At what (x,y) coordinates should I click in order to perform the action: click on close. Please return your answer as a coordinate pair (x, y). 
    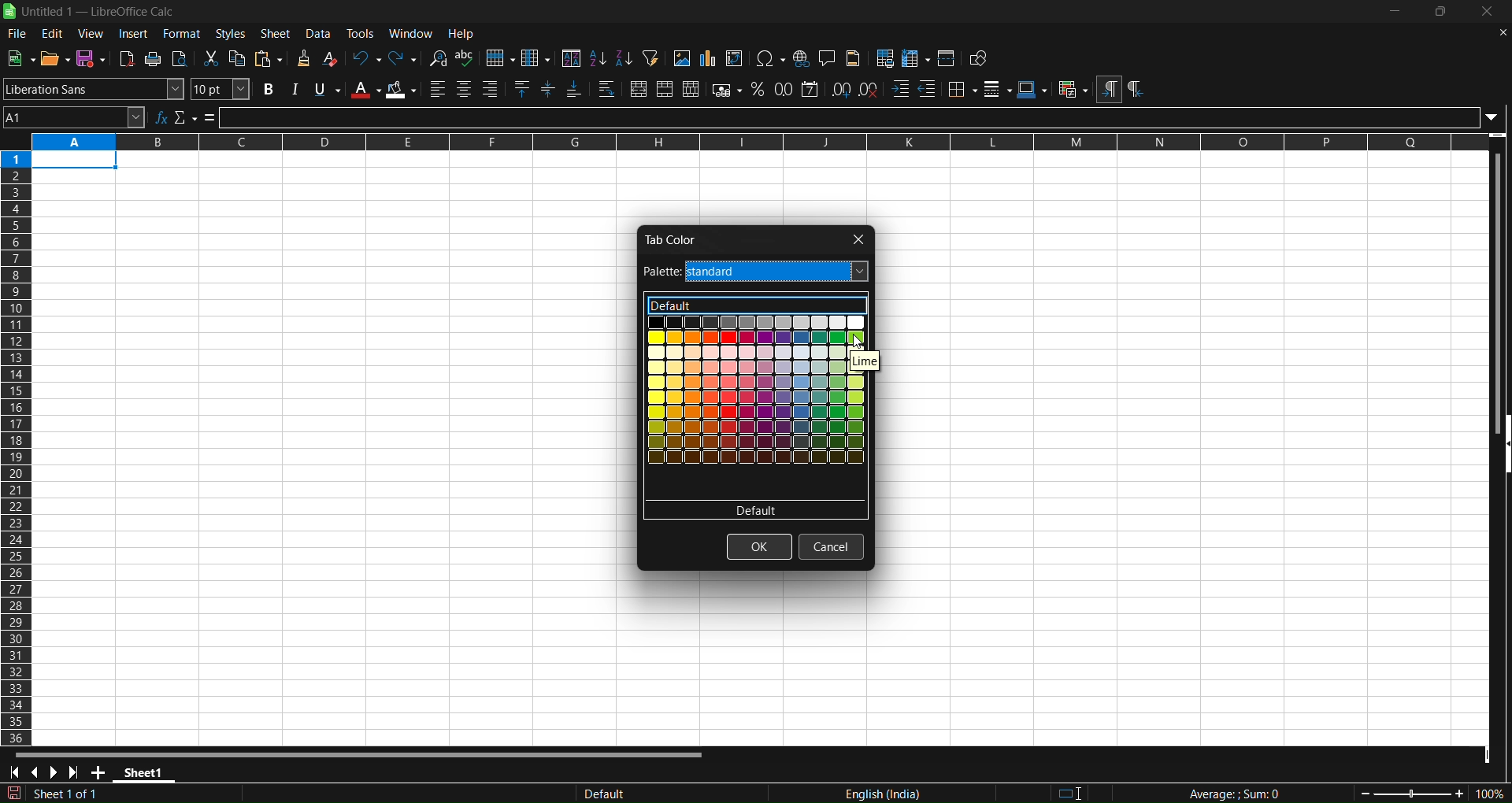
    Looking at the image, I should click on (1489, 13).